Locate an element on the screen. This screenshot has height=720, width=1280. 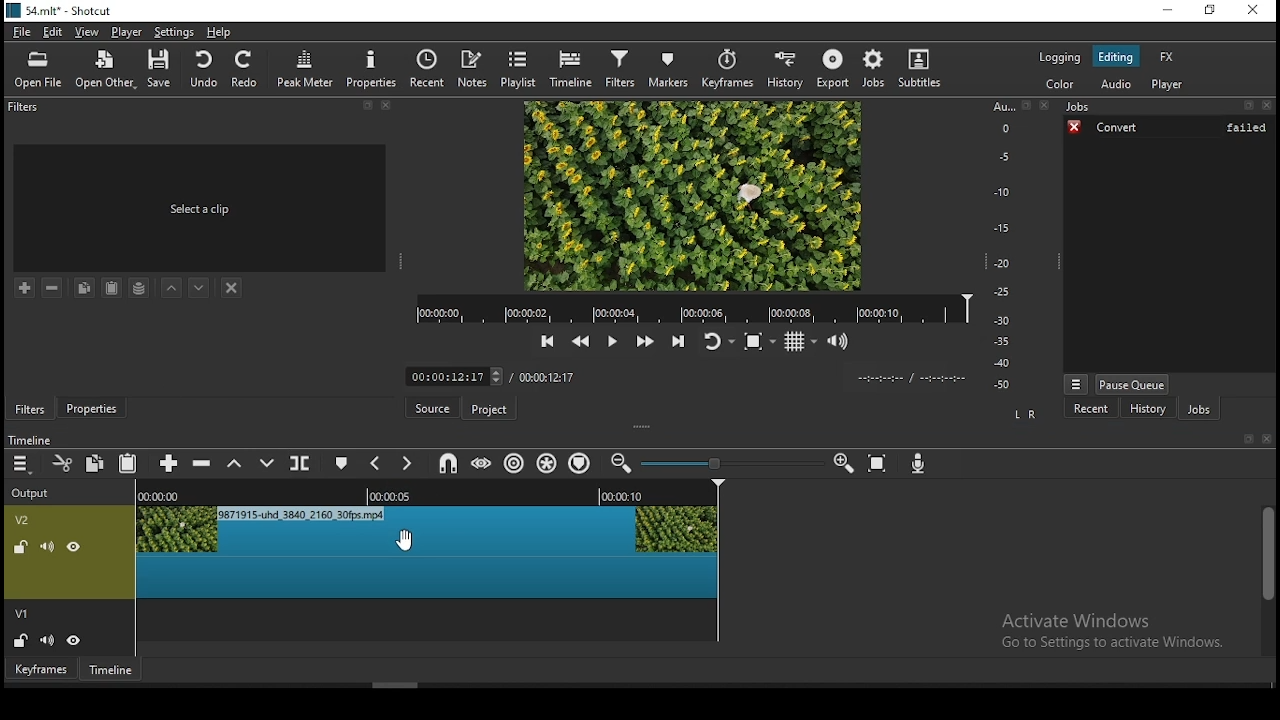
audio is located at coordinates (1117, 85).